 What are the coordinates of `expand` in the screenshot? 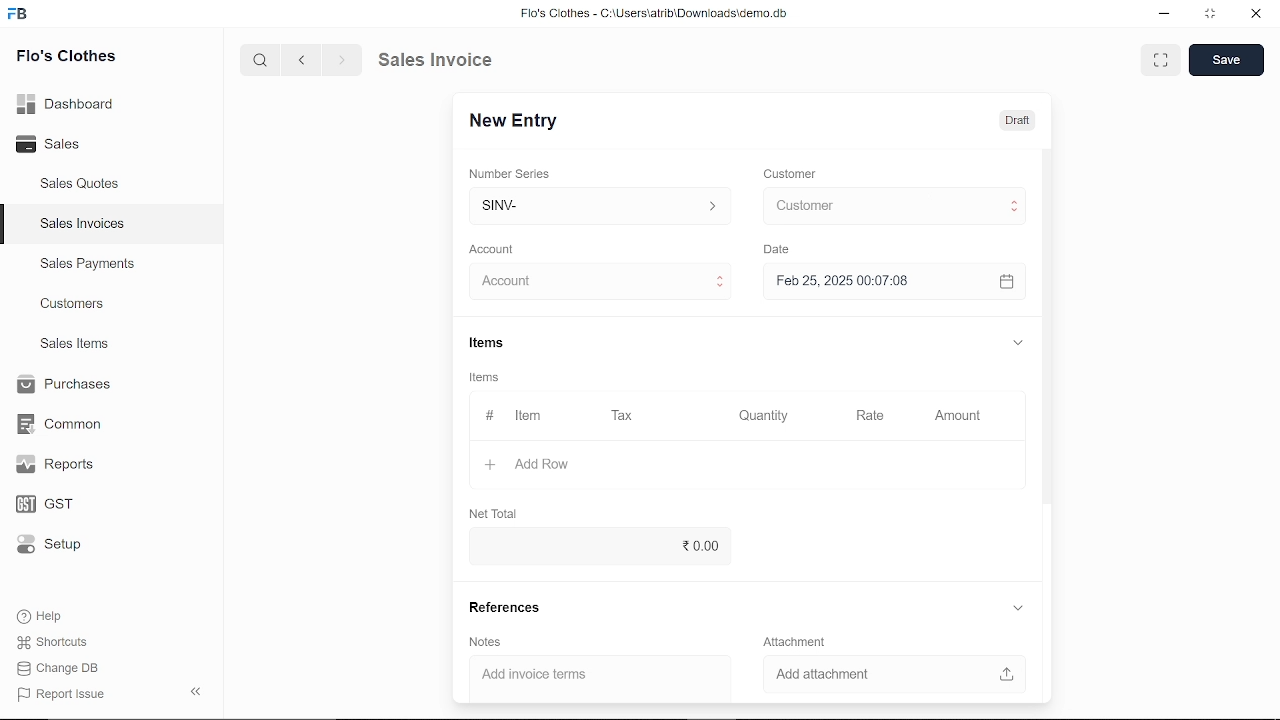 It's located at (1019, 610).